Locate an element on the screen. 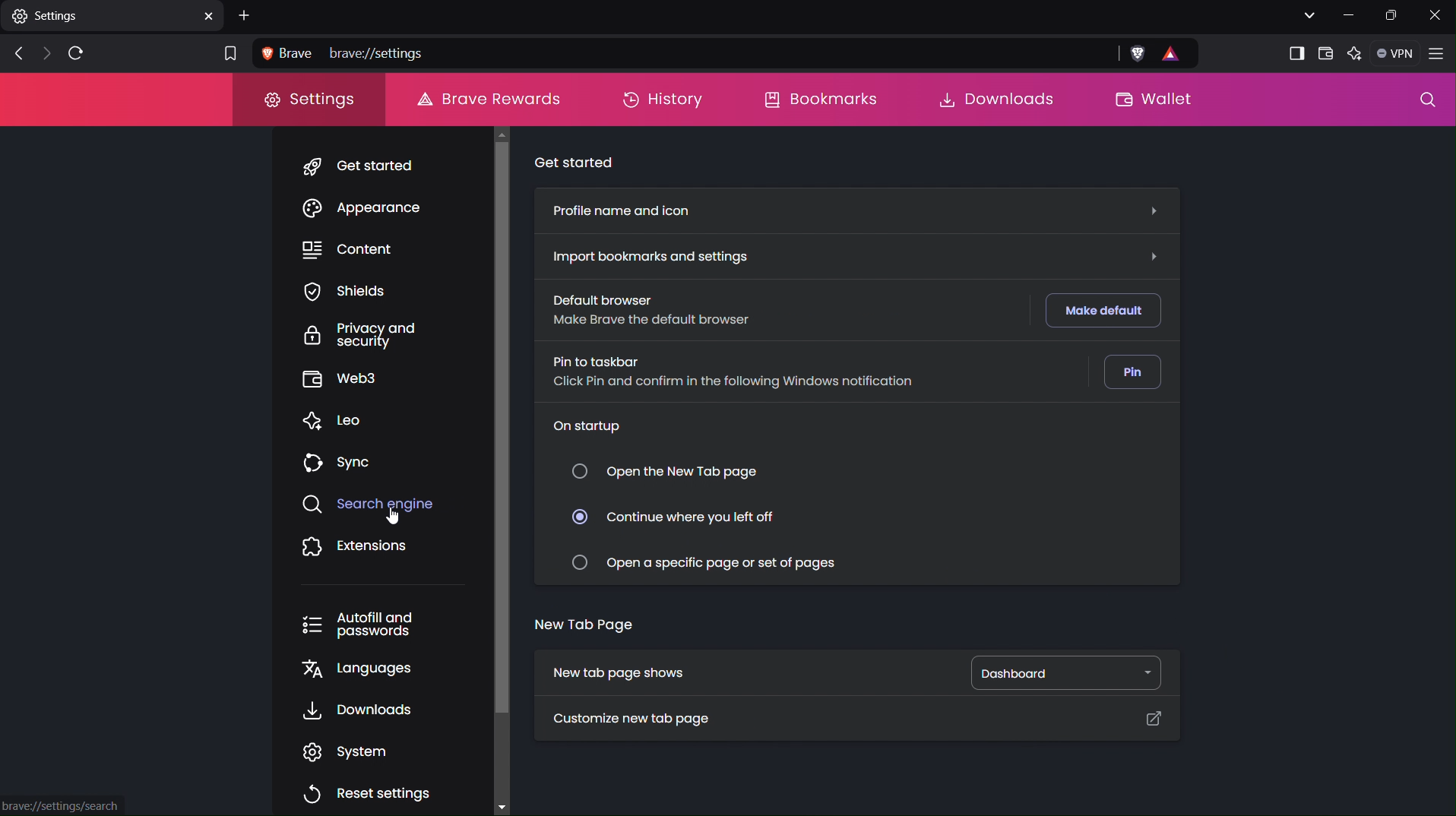  Rewards is located at coordinates (1179, 54).